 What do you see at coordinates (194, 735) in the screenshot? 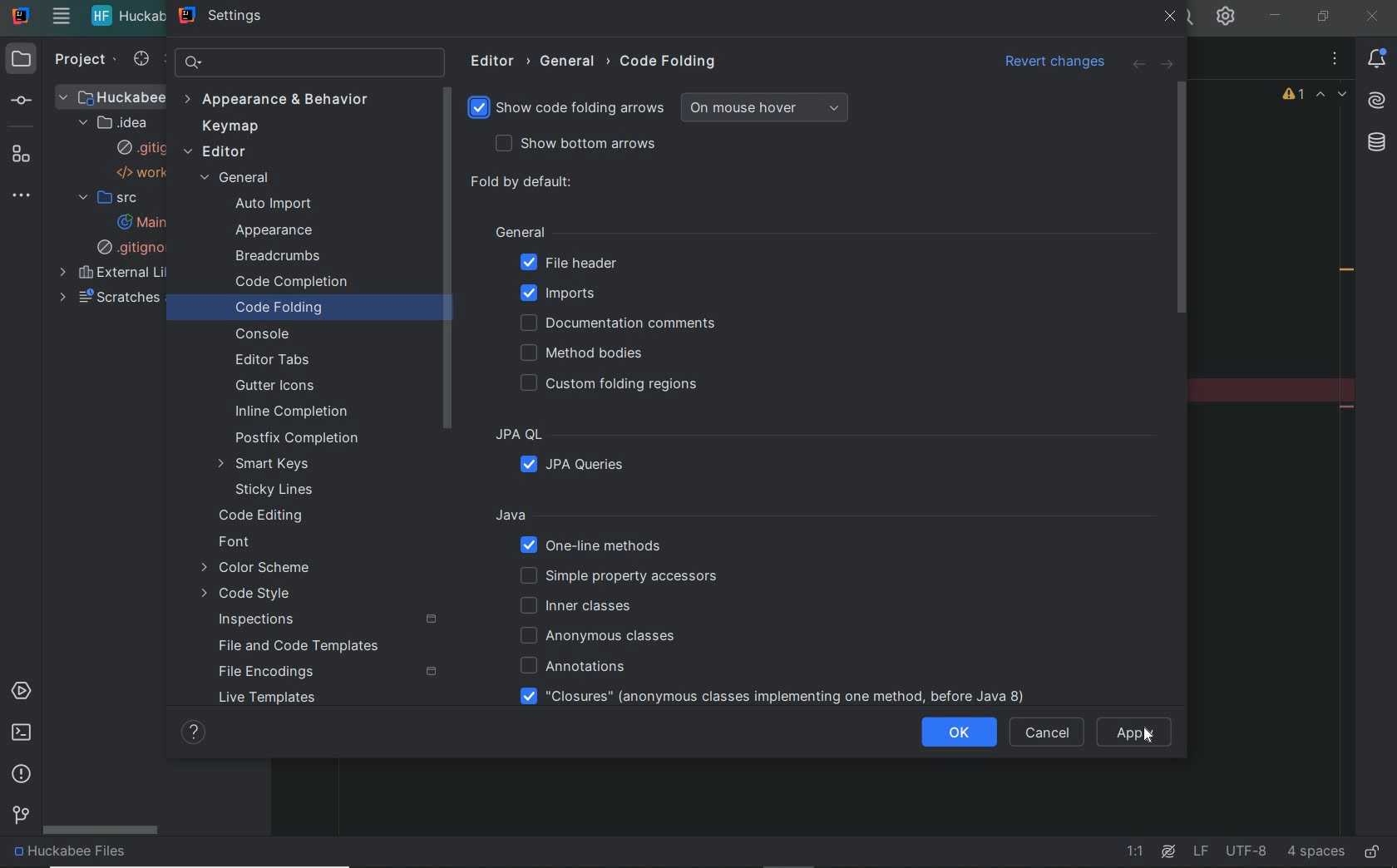
I see `SHOW HELP CONTENTS` at bounding box center [194, 735].